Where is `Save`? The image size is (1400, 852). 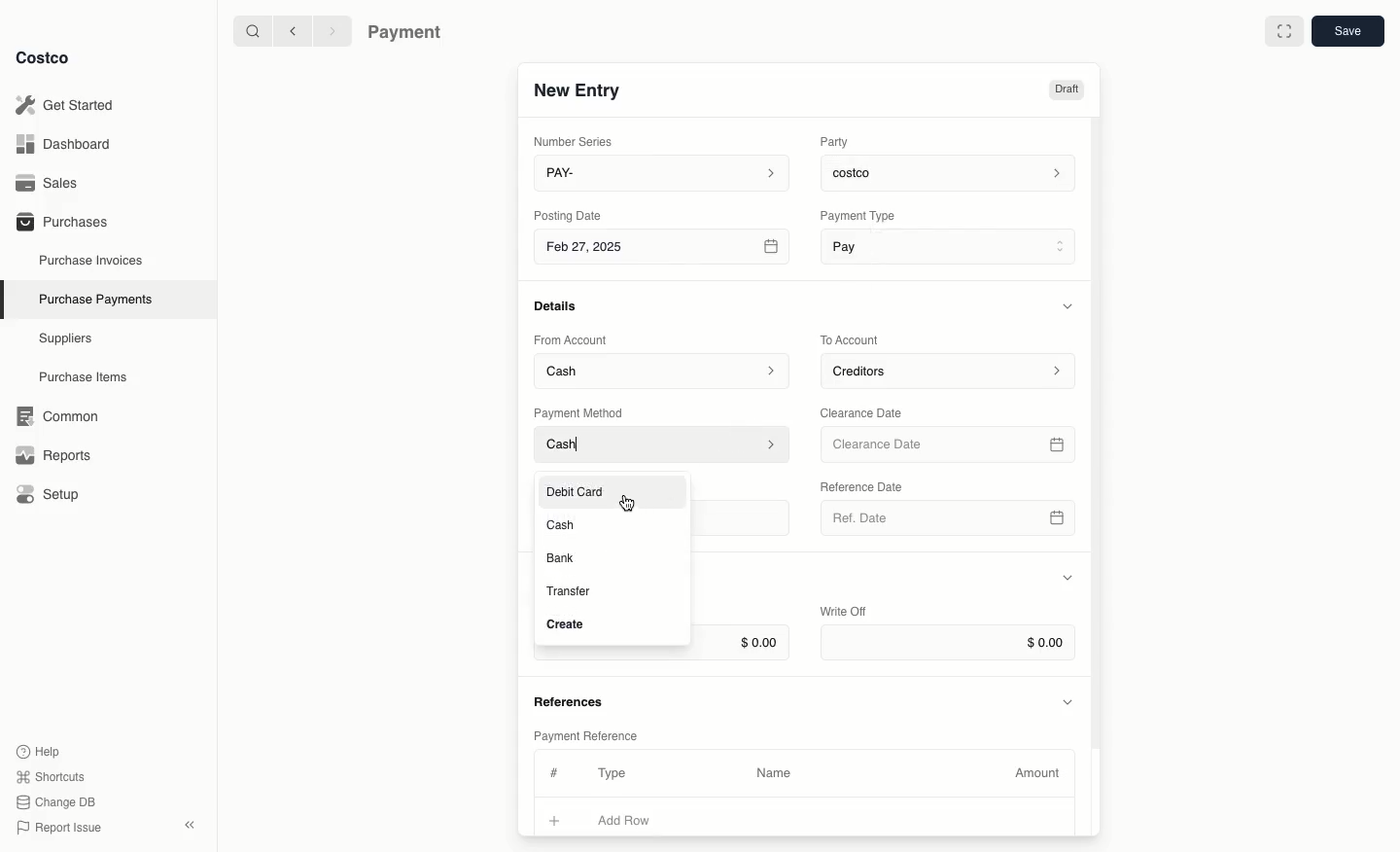
Save is located at coordinates (1347, 30).